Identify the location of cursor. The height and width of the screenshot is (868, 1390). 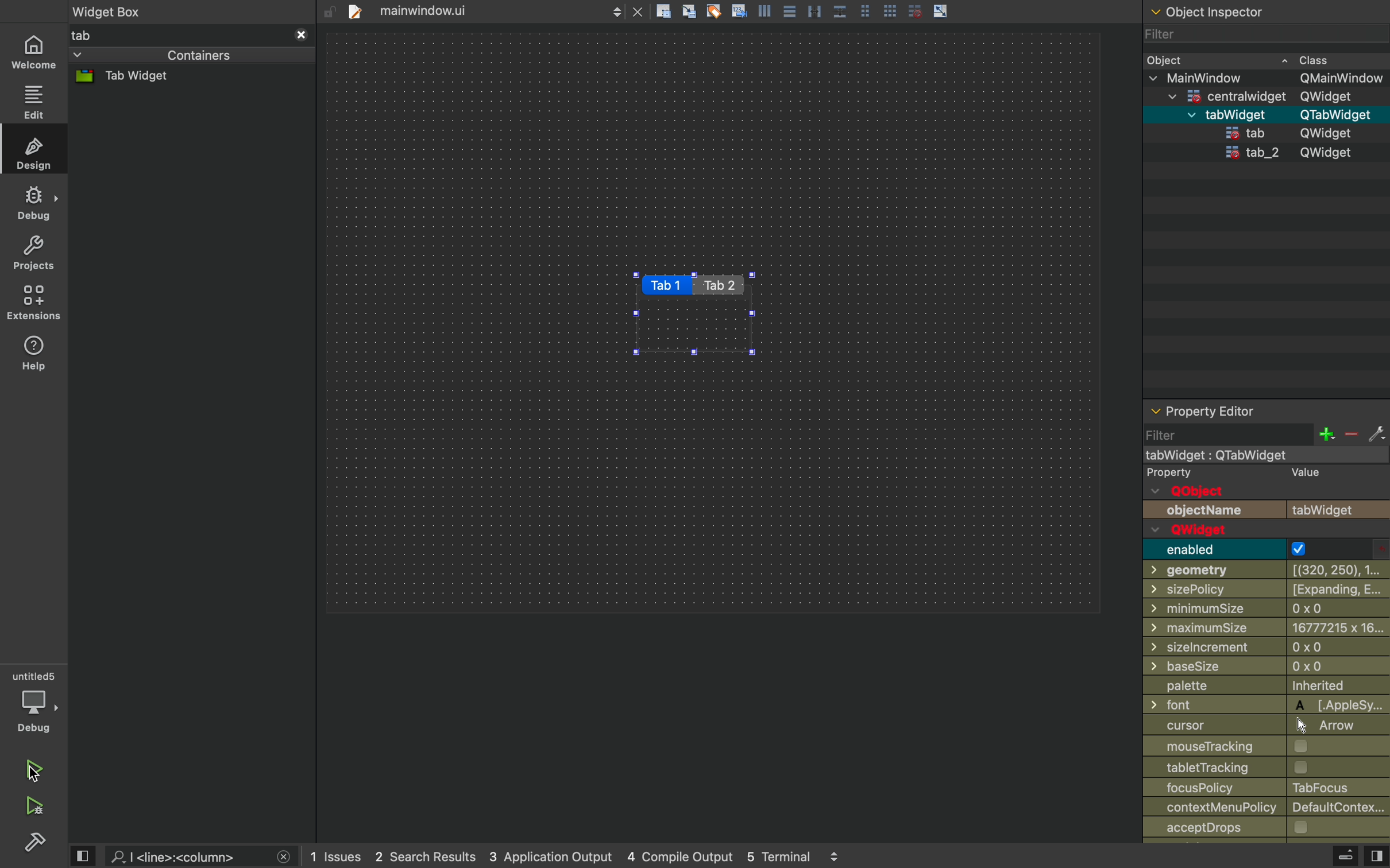
(33, 774).